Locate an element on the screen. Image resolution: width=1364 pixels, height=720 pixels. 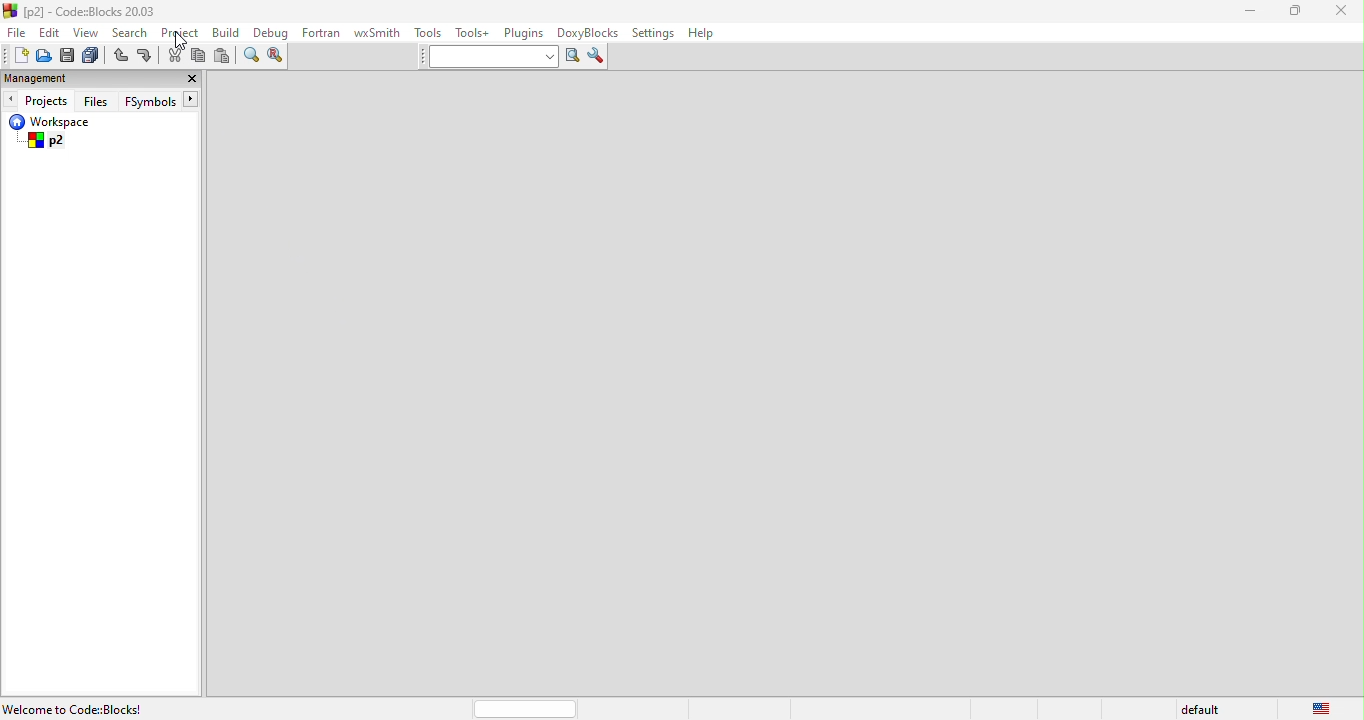
cursor is located at coordinates (184, 42).